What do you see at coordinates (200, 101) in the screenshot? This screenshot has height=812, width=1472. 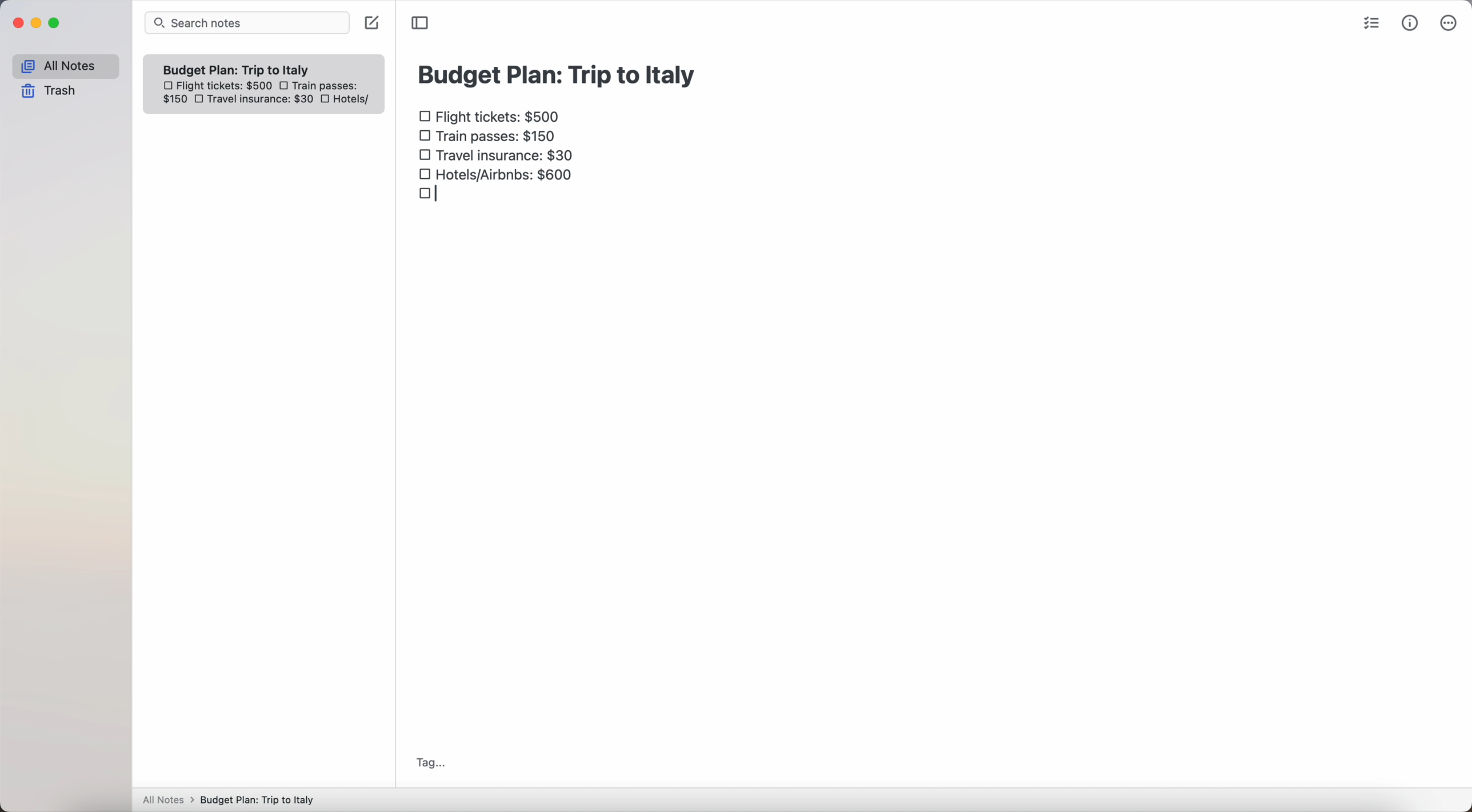 I see `checkbox` at bounding box center [200, 101].